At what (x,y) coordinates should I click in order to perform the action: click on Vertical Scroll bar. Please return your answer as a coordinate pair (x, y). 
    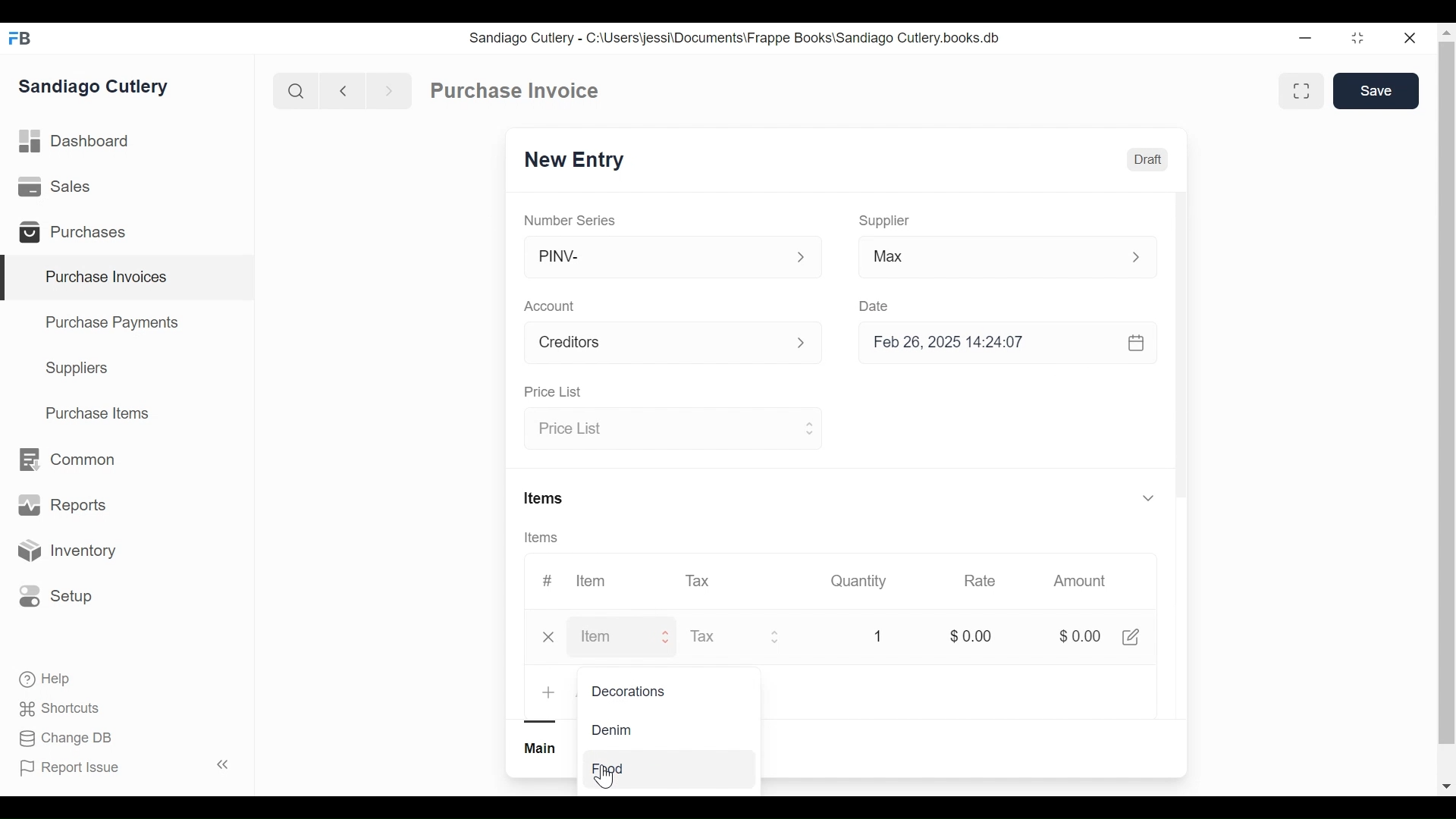
    Looking at the image, I should click on (1181, 358).